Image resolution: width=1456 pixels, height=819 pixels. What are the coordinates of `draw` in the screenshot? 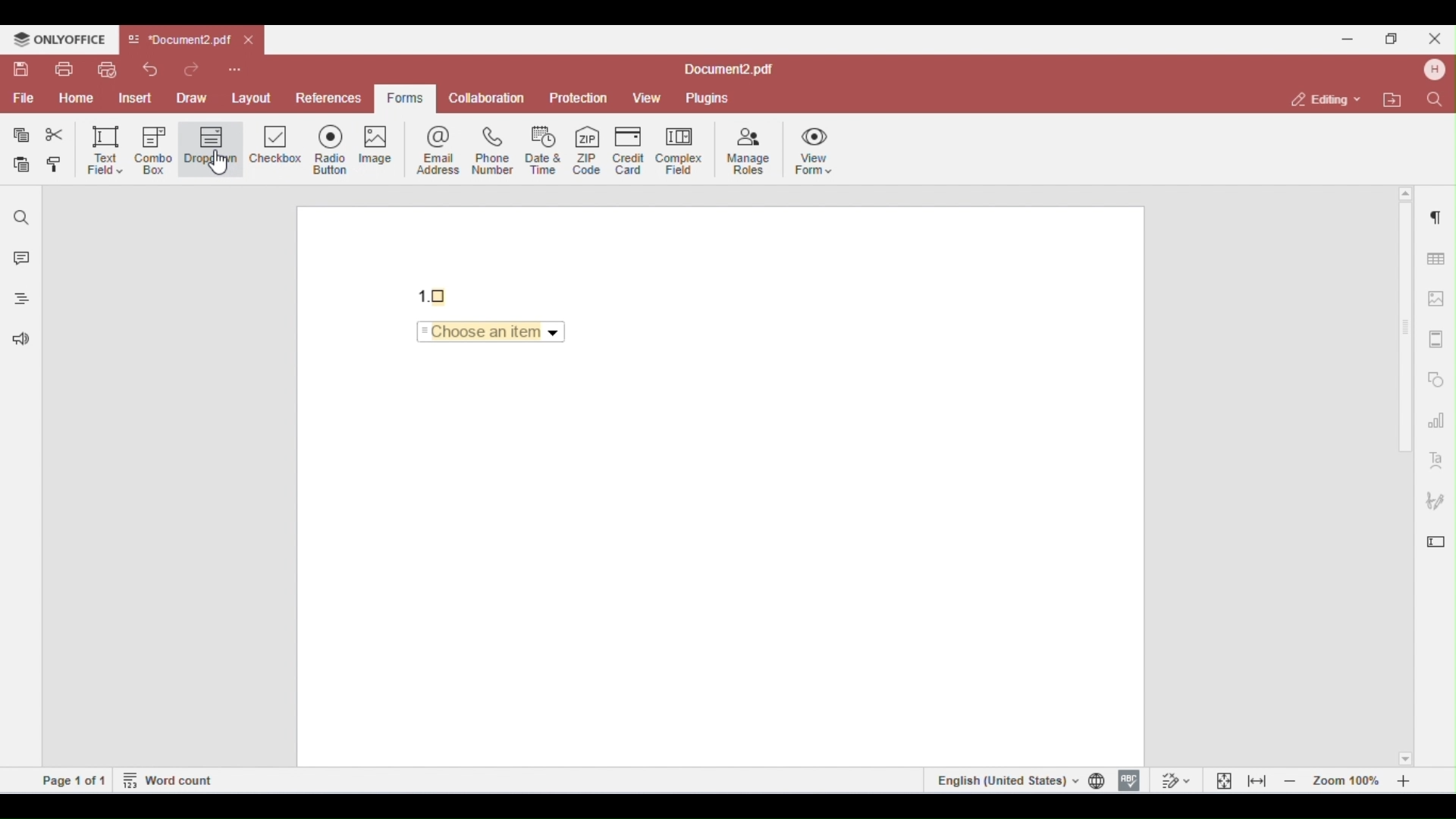 It's located at (194, 97).